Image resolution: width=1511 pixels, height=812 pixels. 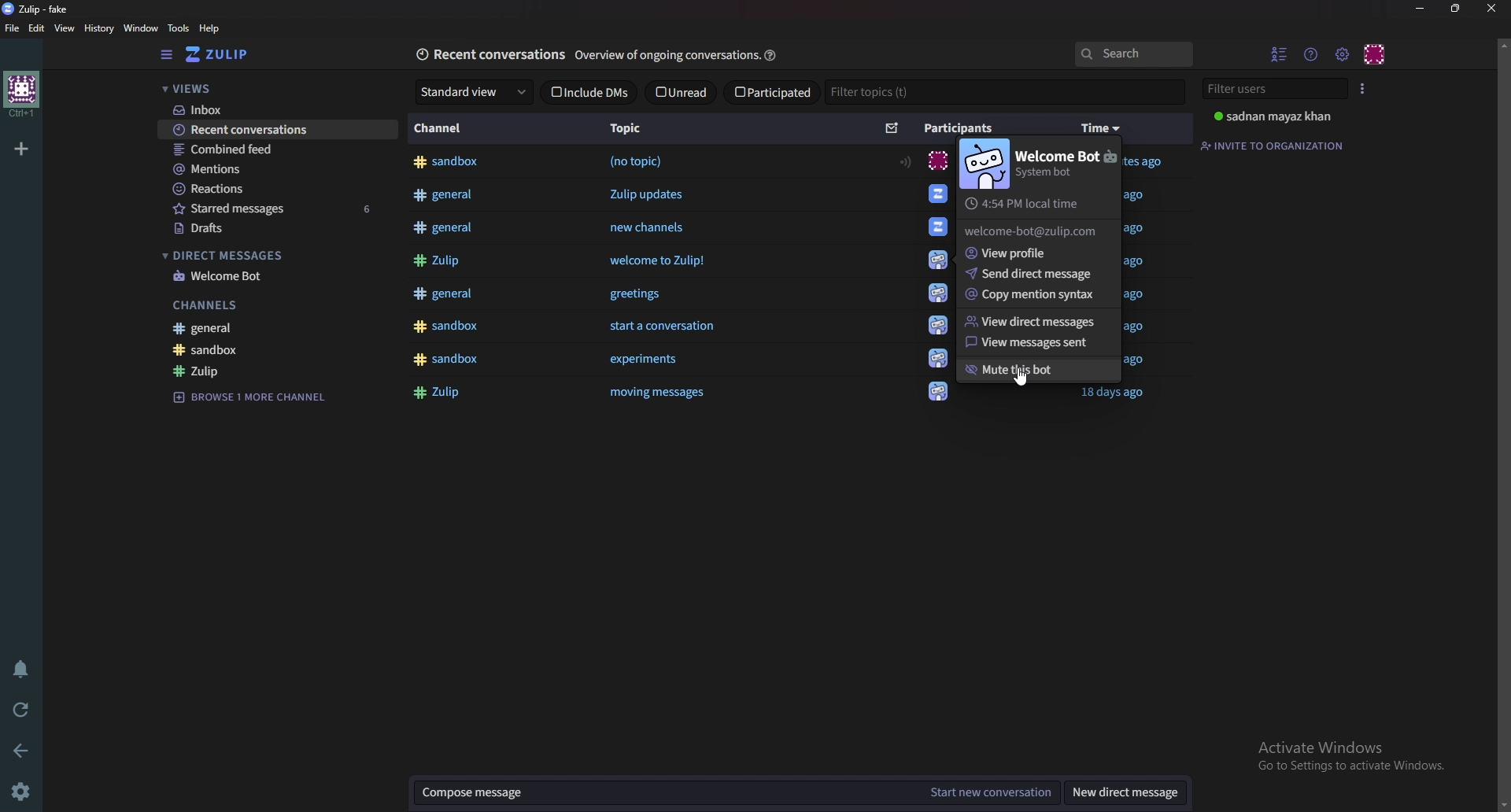 What do you see at coordinates (275, 109) in the screenshot?
I see `Inbox` at bounding box center [275, 109].